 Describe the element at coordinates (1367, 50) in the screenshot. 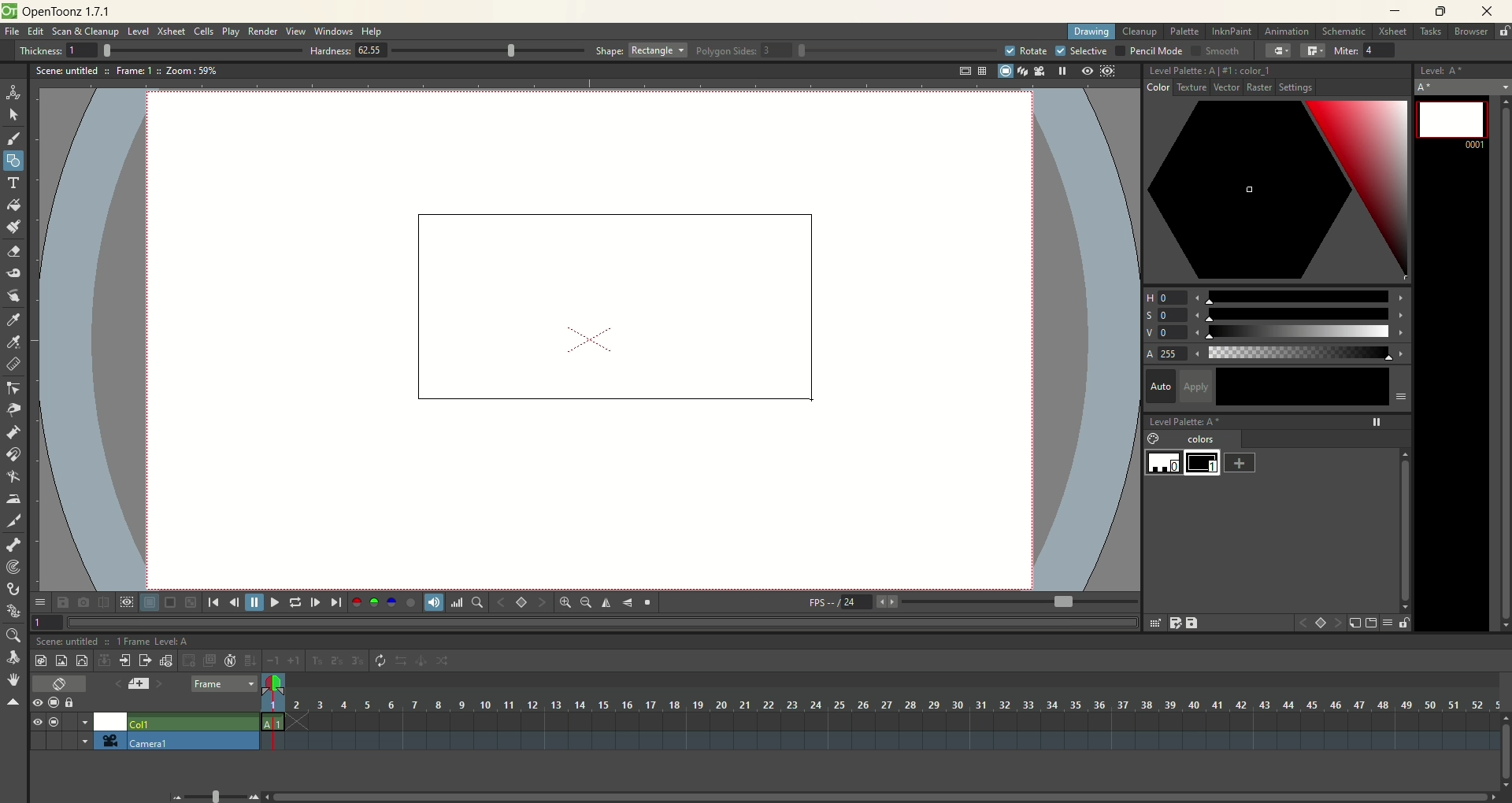

I see `miter` at that location.